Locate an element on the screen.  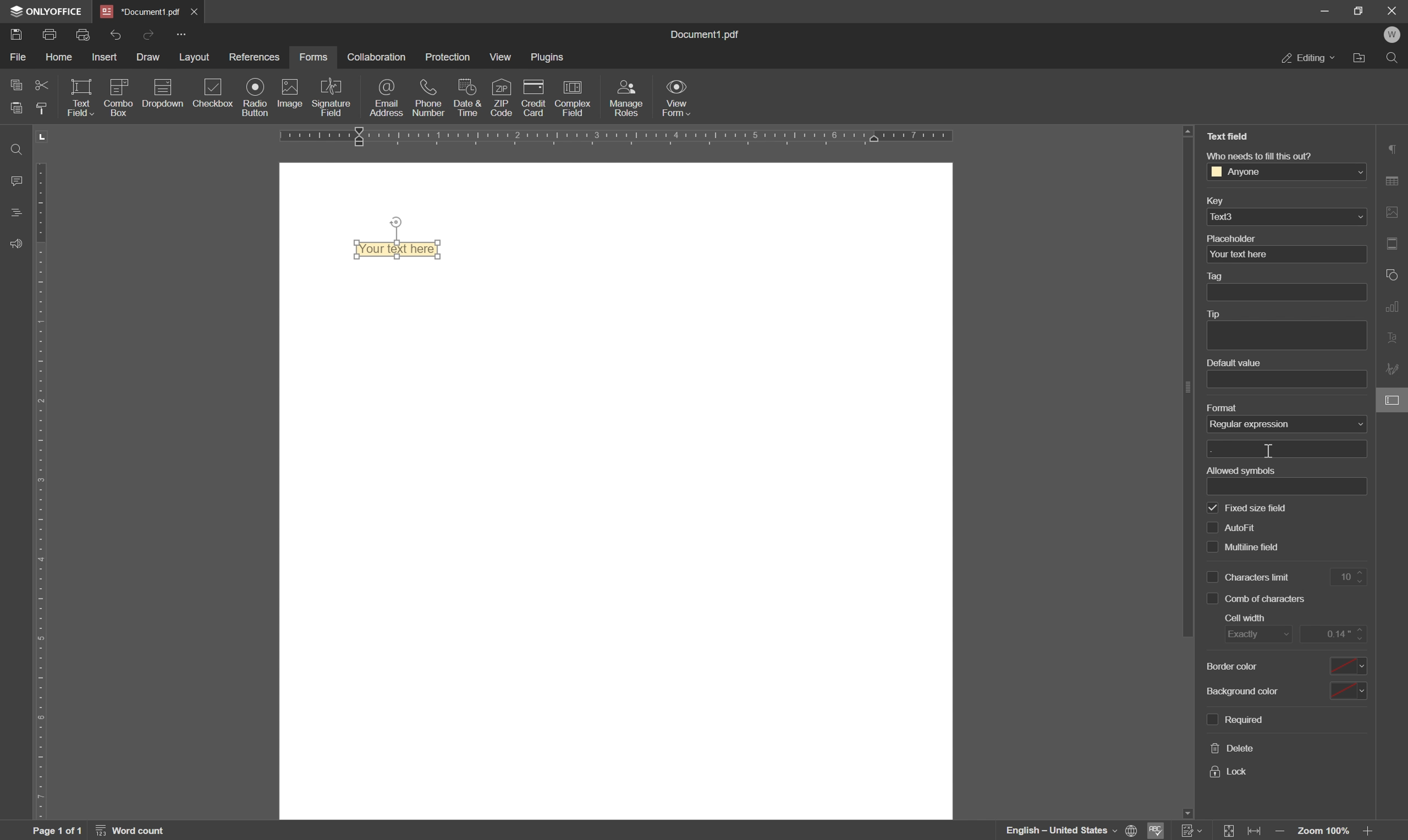
select border color is located at coordinates (1350, 663).